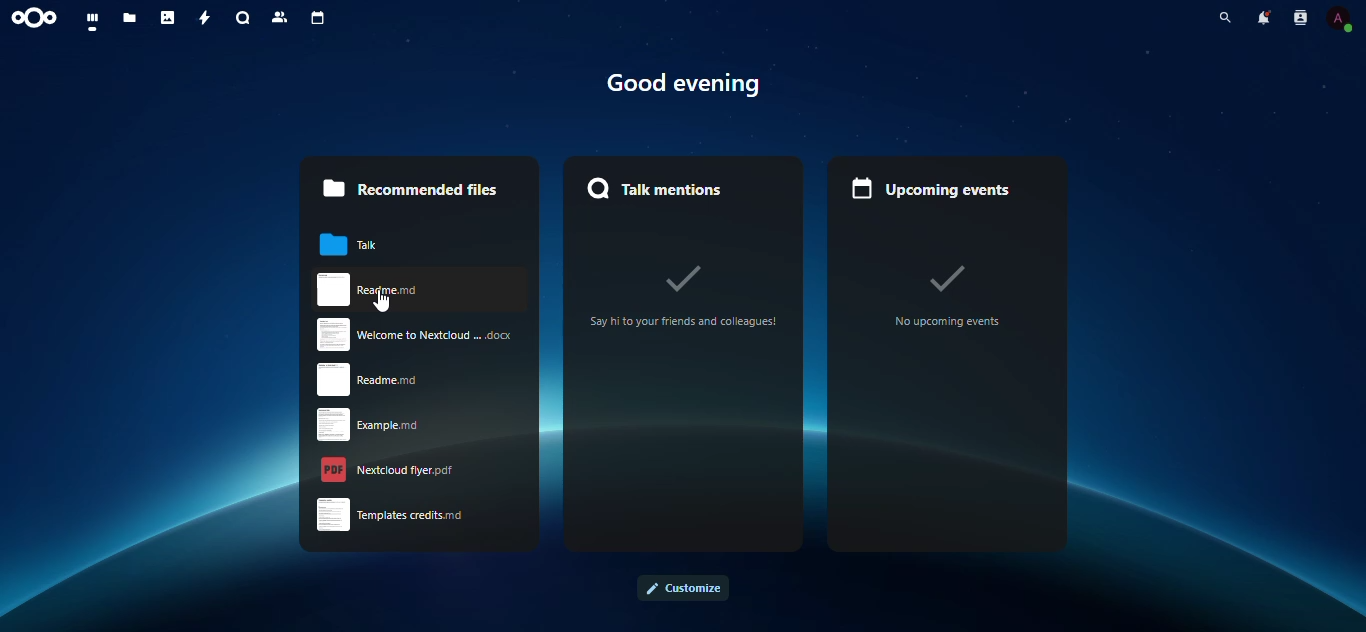  I want to click on Templates credits.md, so click(390, 515).